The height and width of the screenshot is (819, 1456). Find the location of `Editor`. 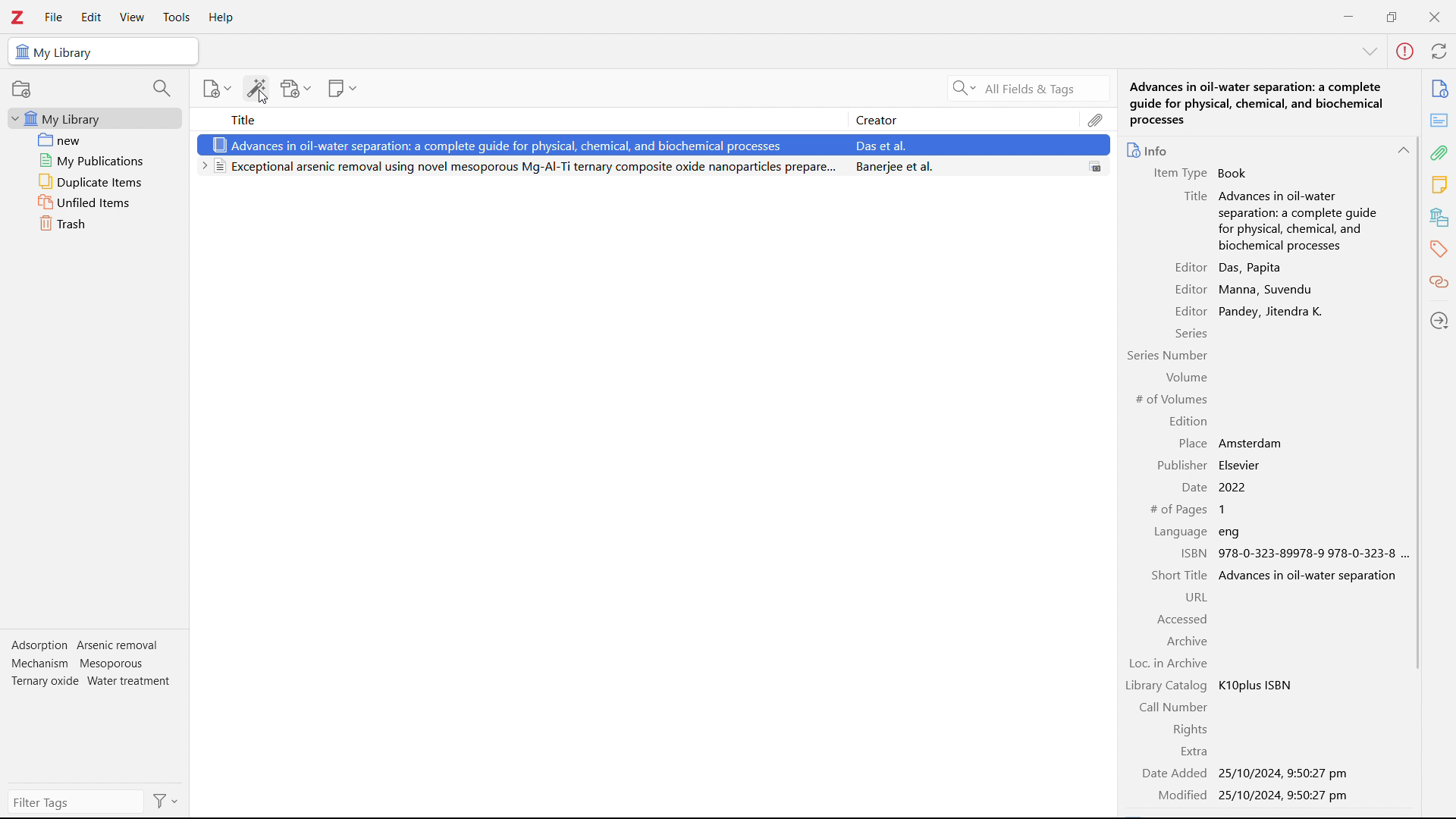

Editor is located at coordinates (1188, 268).